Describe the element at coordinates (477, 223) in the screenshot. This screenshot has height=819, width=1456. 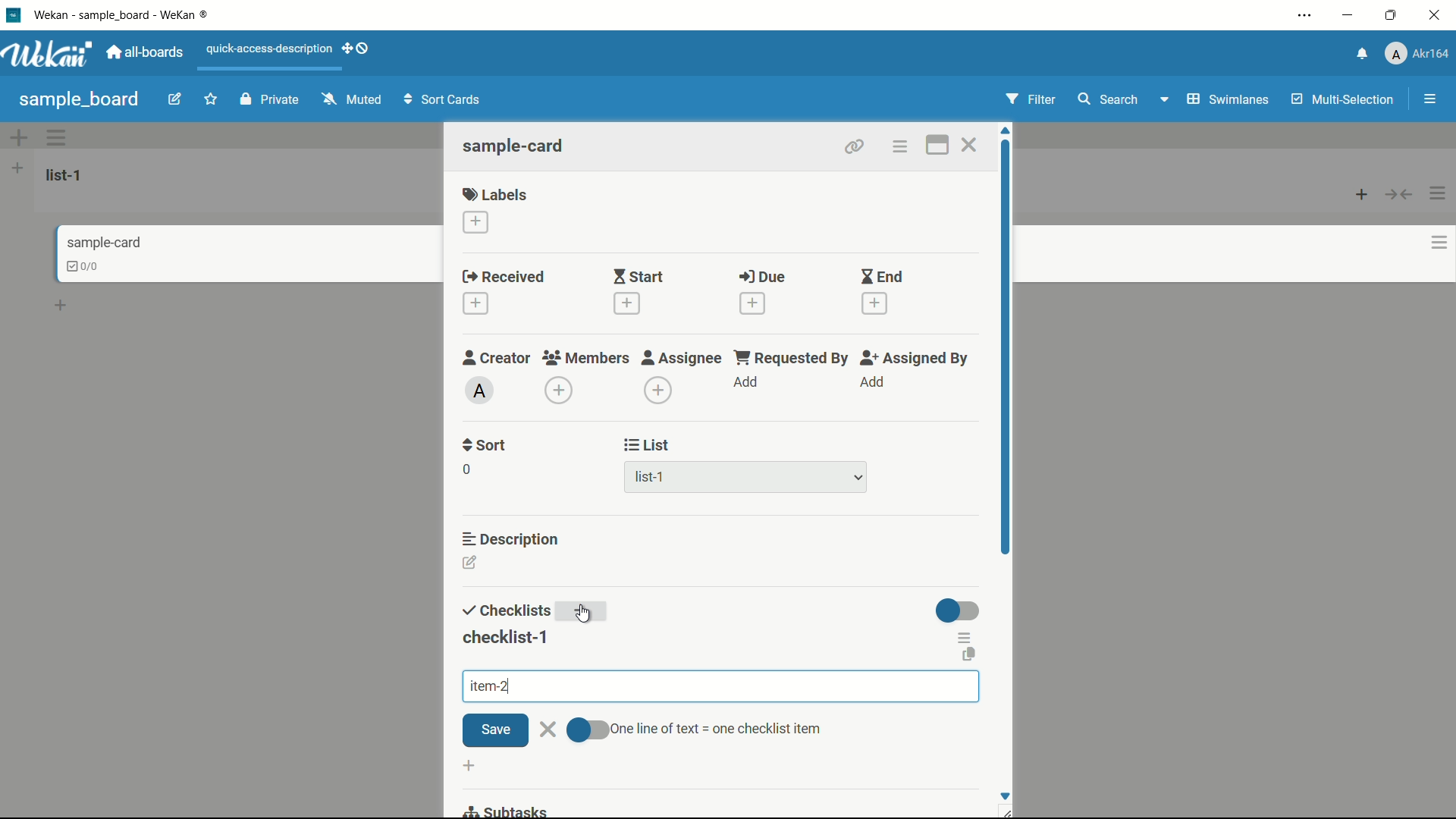
I see `add label` at that location.